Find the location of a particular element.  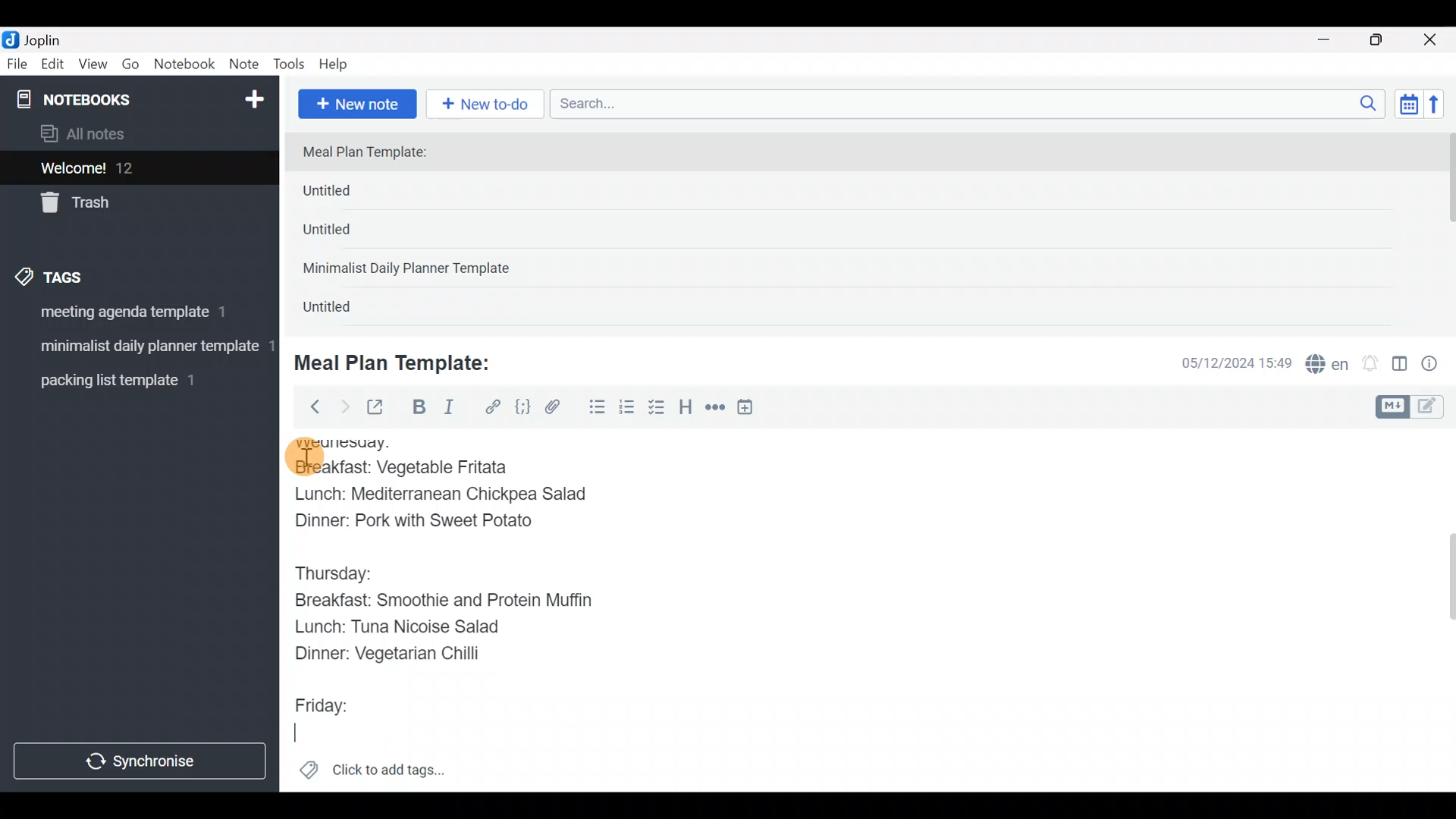

Reverse sort is located at coordinates (1442, 108).